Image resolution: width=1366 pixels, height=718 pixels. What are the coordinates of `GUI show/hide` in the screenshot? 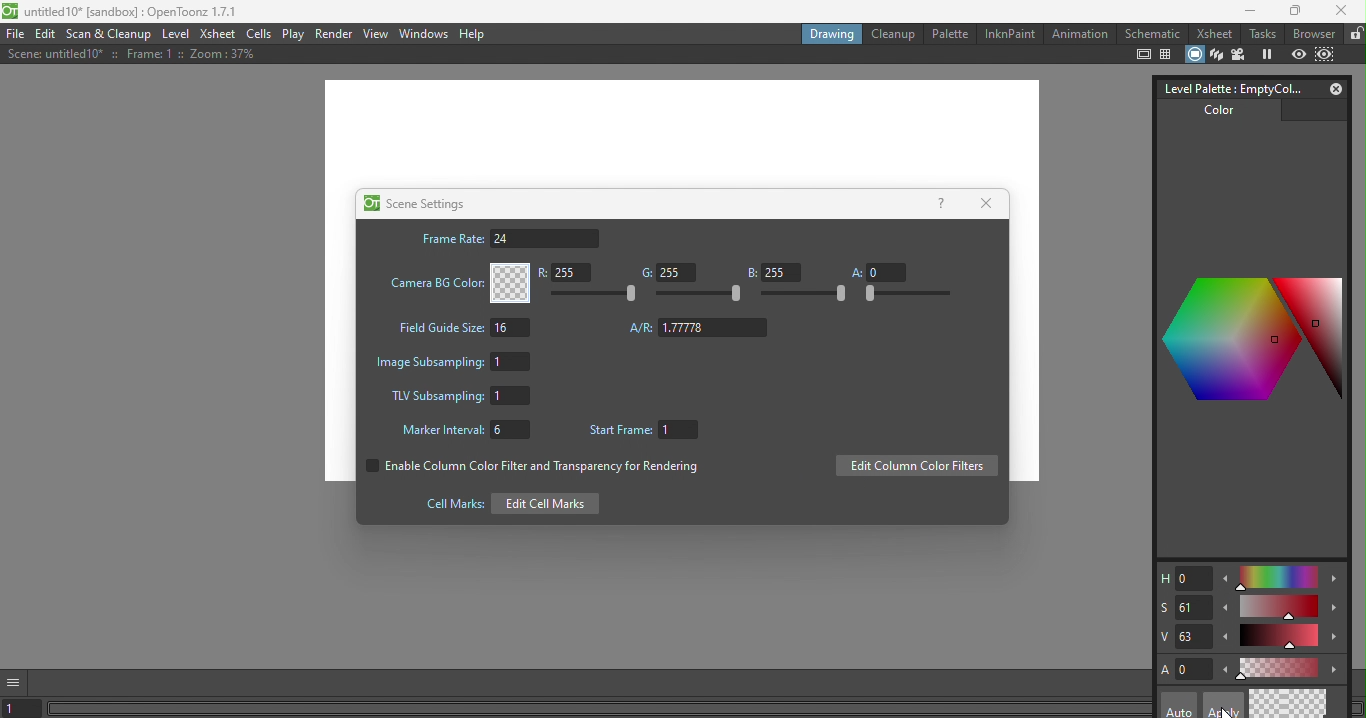 It's located at (17, 681).